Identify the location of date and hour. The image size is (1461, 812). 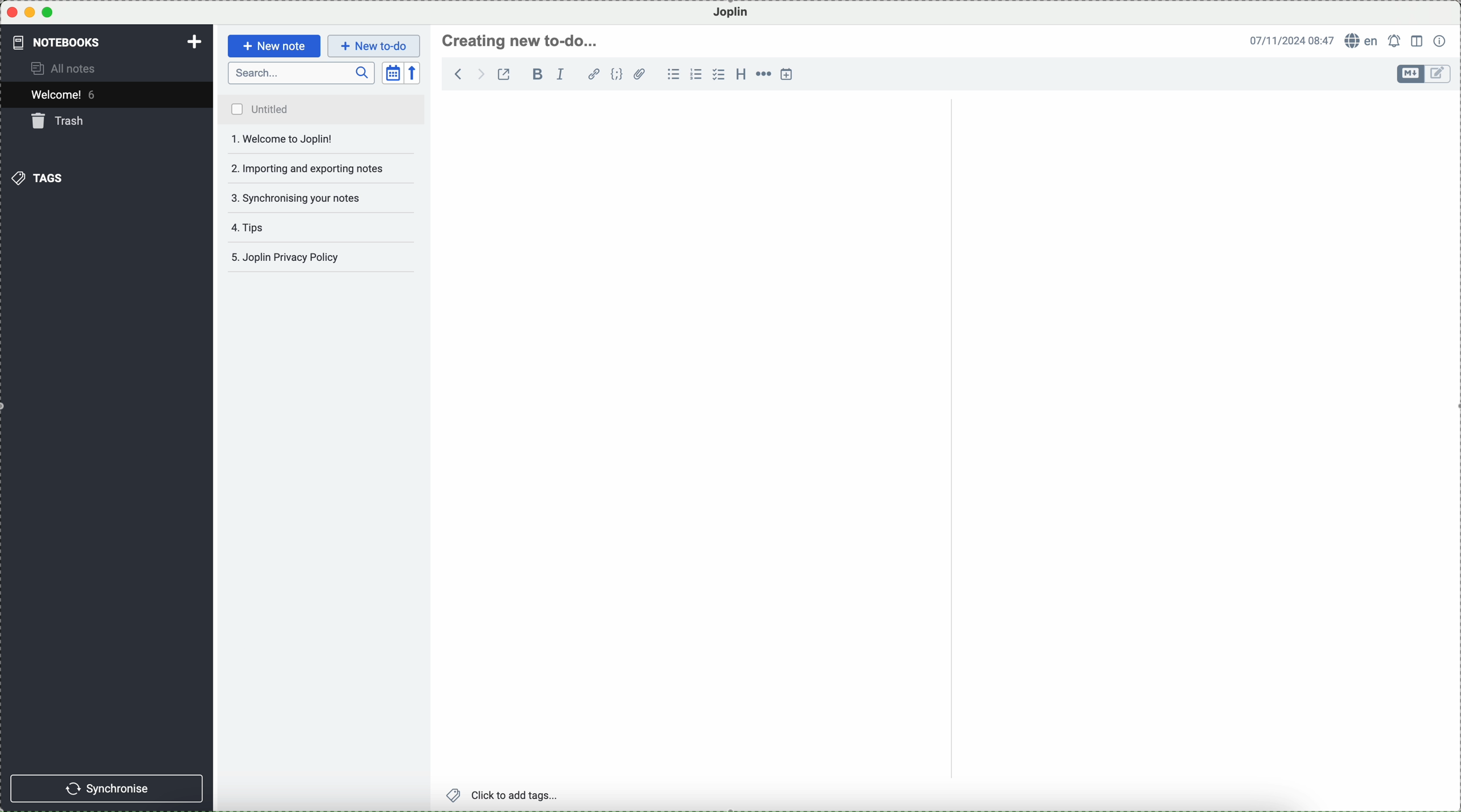
(1292, 40).